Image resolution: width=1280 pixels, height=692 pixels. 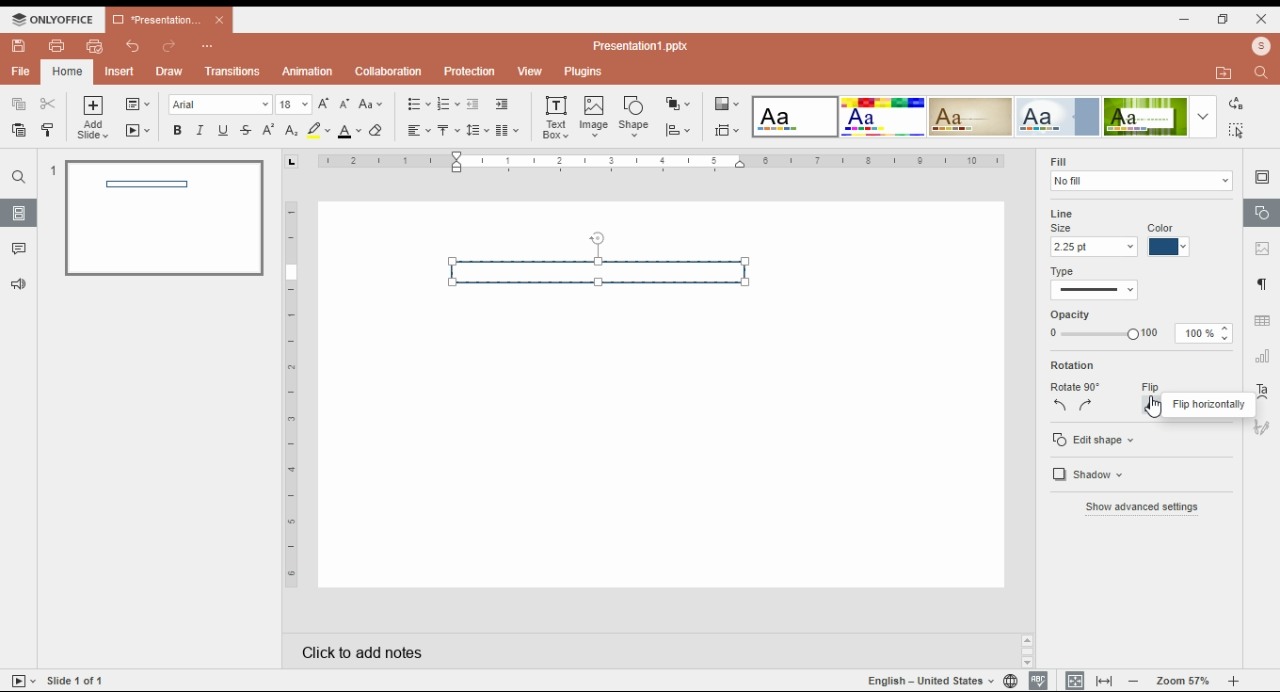 I want to click on click to add notes, so click(x=512, y=649).